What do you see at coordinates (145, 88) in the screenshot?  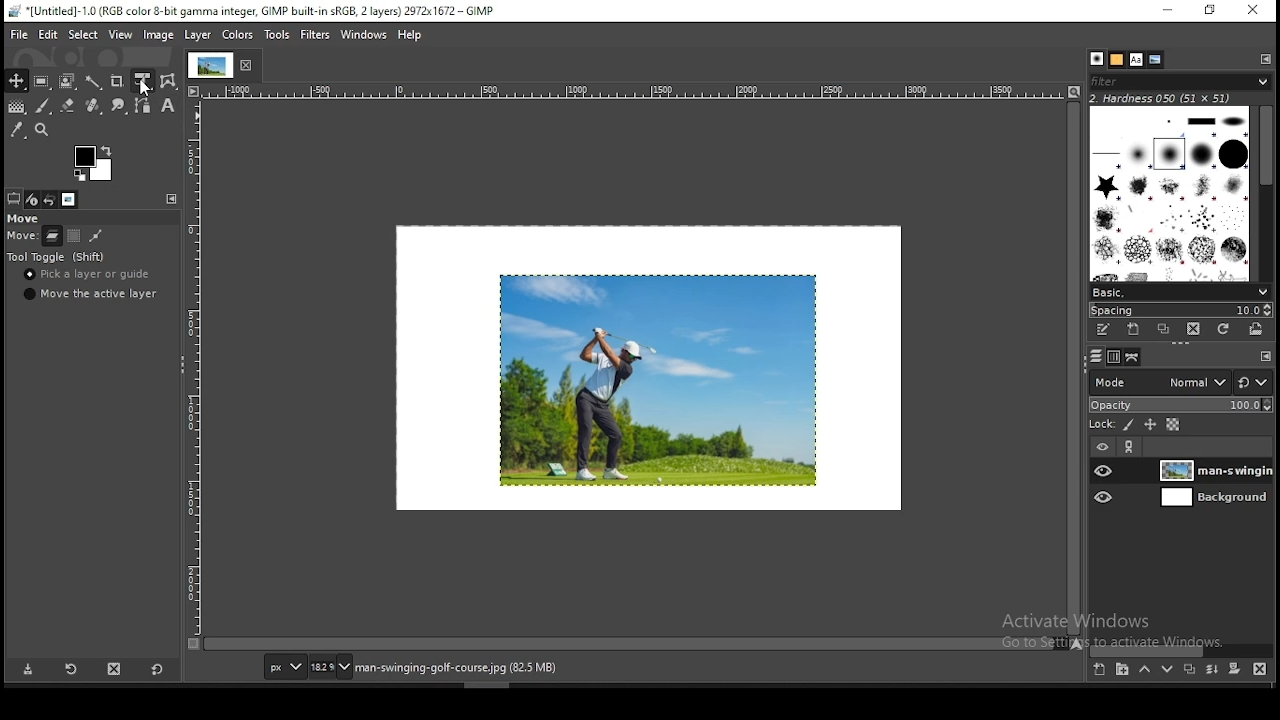 I see `mouse pointer` at bounding box center [145, 88].